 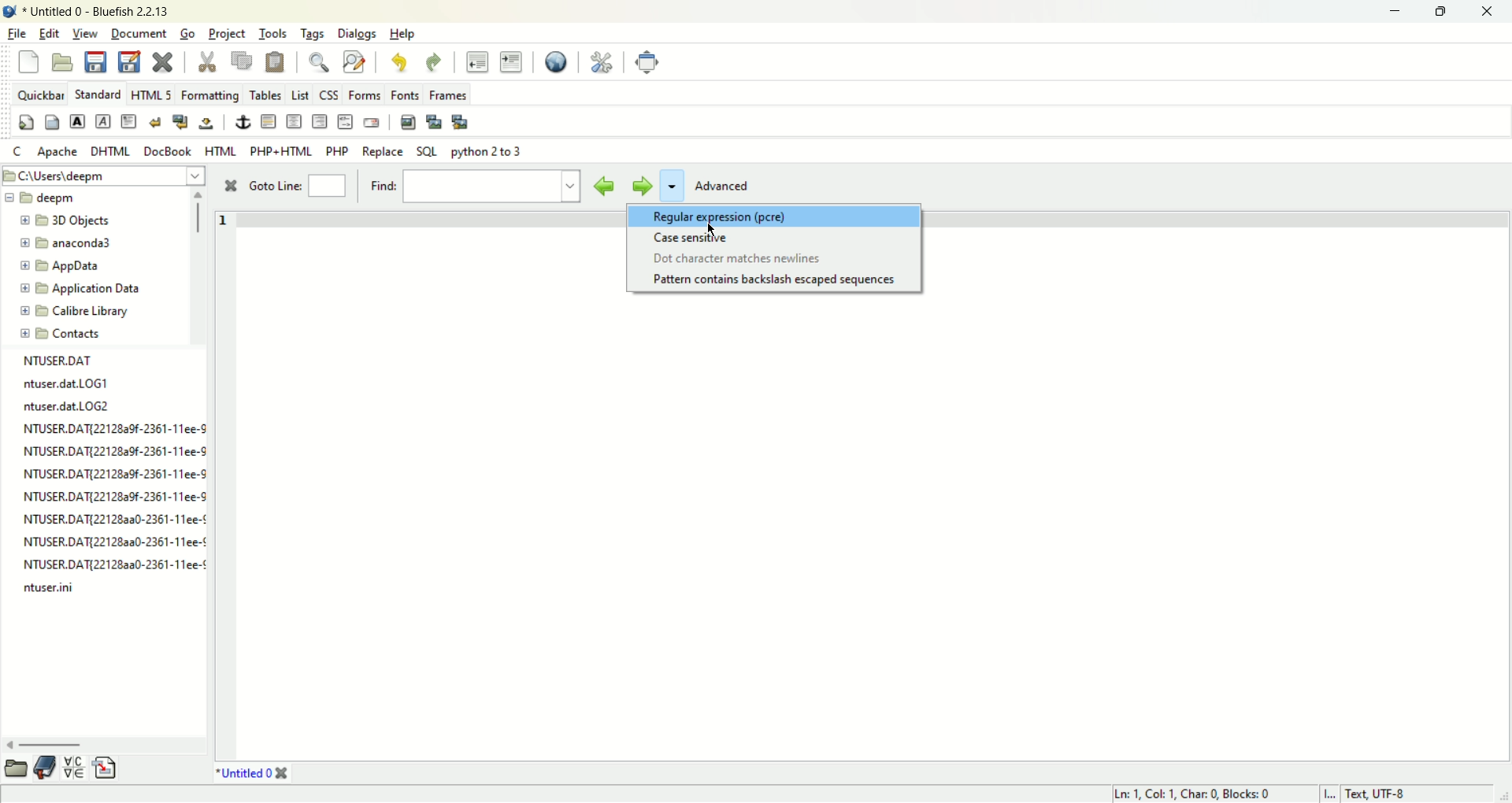 I want to click on PHP, so click(x=339, y=149).